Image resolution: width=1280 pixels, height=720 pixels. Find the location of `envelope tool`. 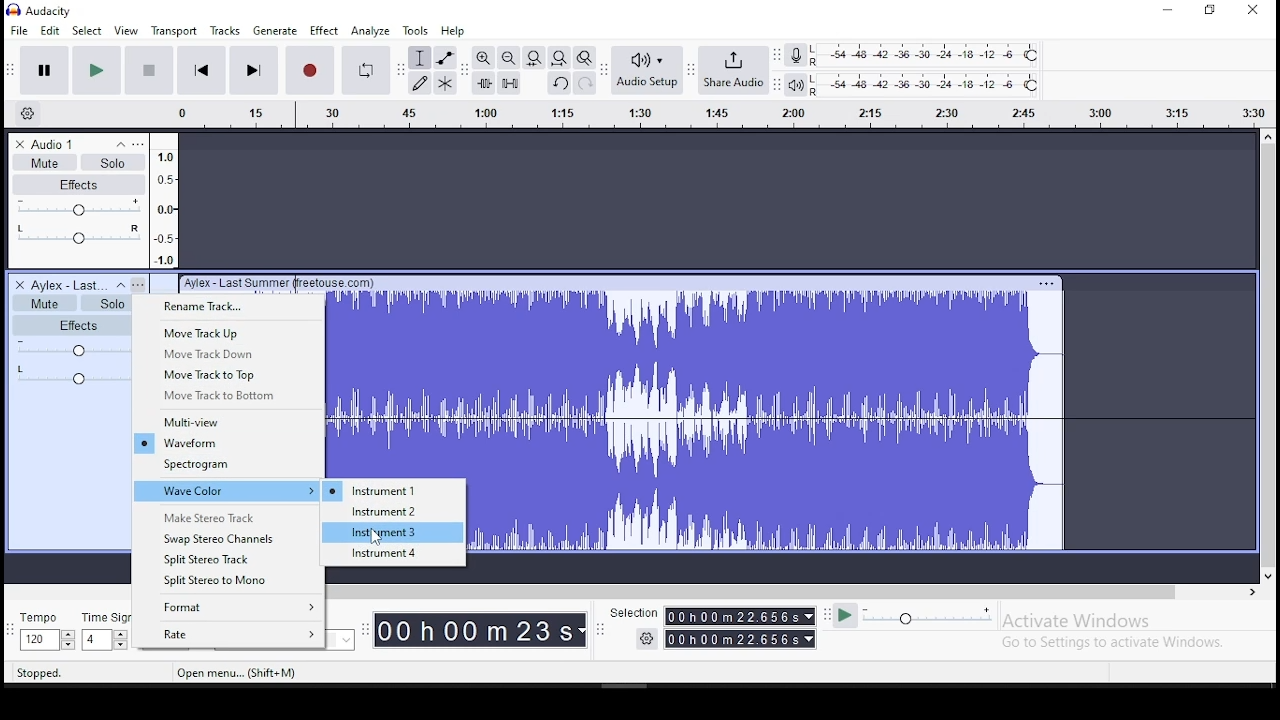

envelope tool is located at coordinates (444, 58).